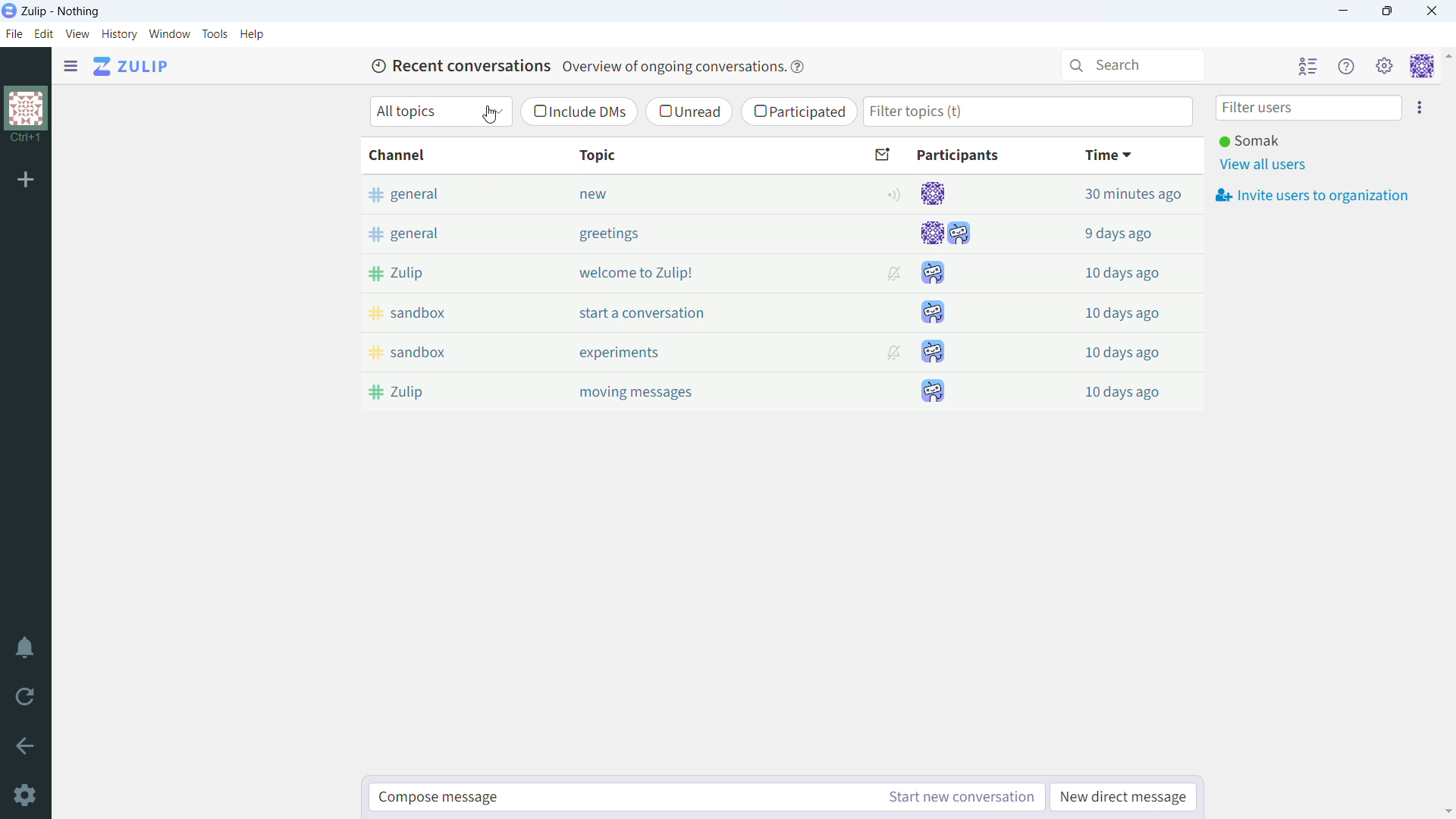  Describe the element at coordinates (1249, 140) in the screenshot. I see `active user` at that location.